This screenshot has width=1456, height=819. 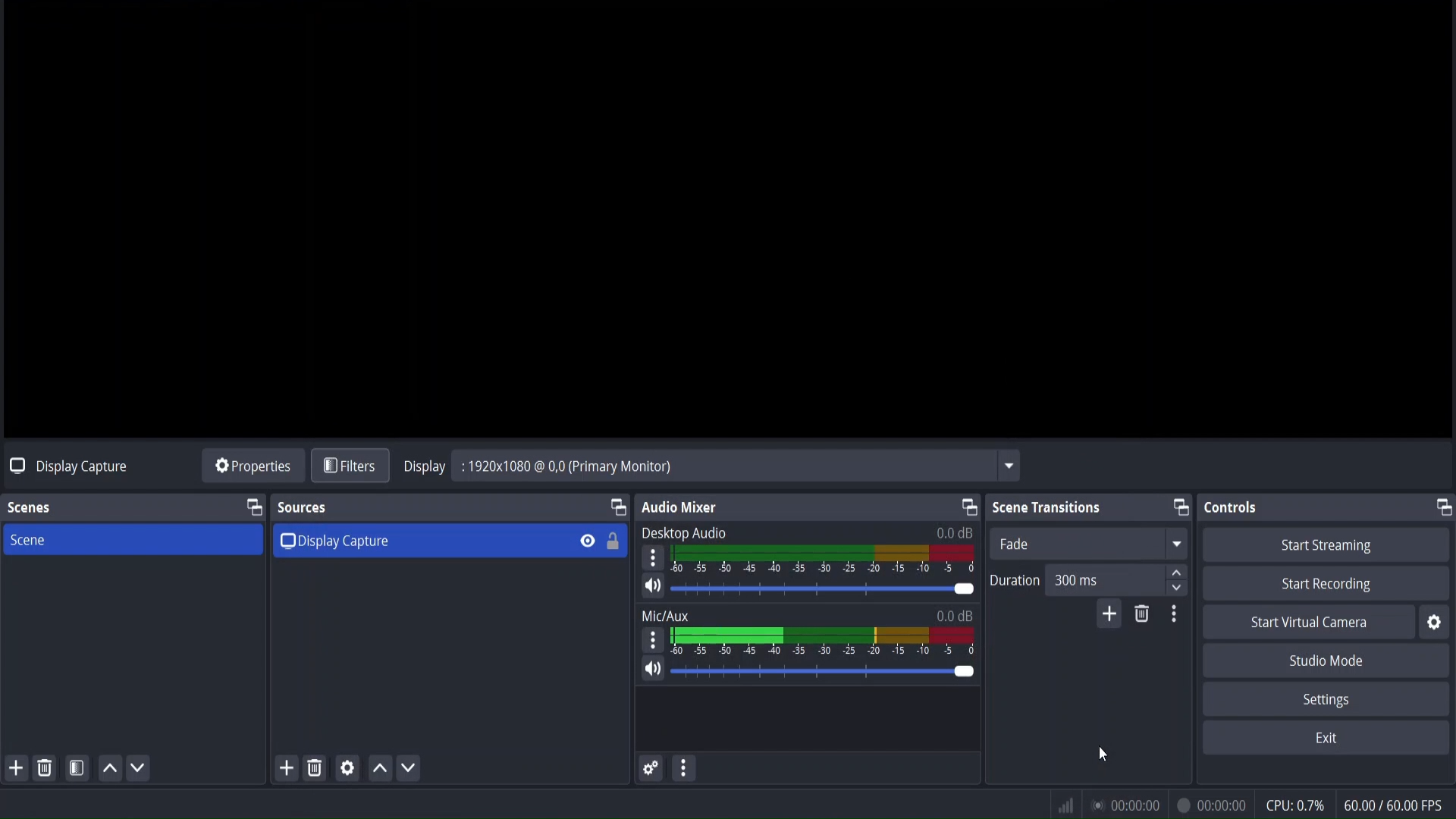 What do you see at coordinates (1109, 616) in the screenshot?
I see `add configurable transitions` at bounding box center [1109, 616].